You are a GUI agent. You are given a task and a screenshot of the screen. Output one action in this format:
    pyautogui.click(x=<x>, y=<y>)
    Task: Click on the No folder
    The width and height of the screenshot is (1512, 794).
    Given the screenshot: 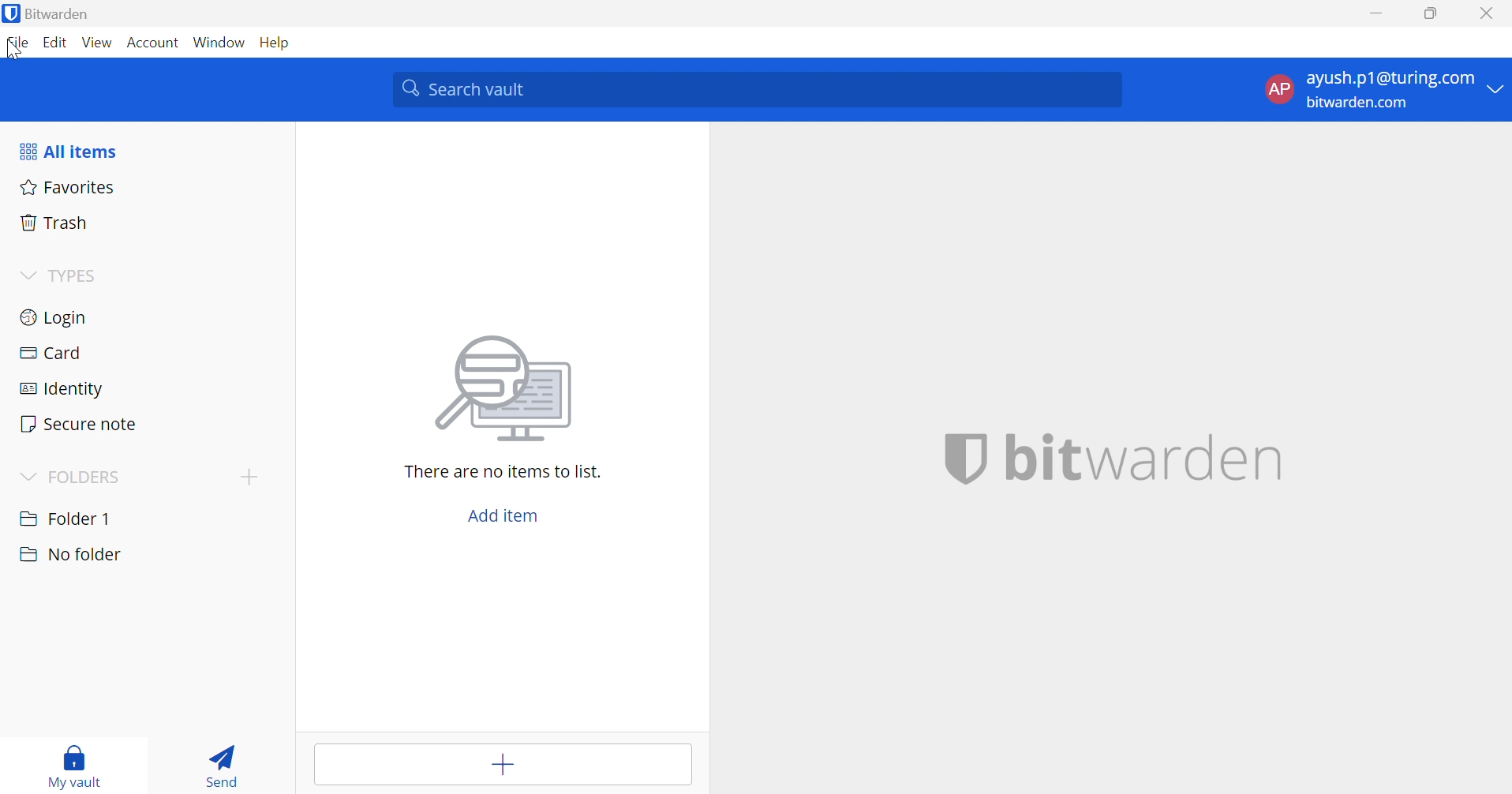 What is the action you would take?
    pyautogui.click(x=69, y=555)
    